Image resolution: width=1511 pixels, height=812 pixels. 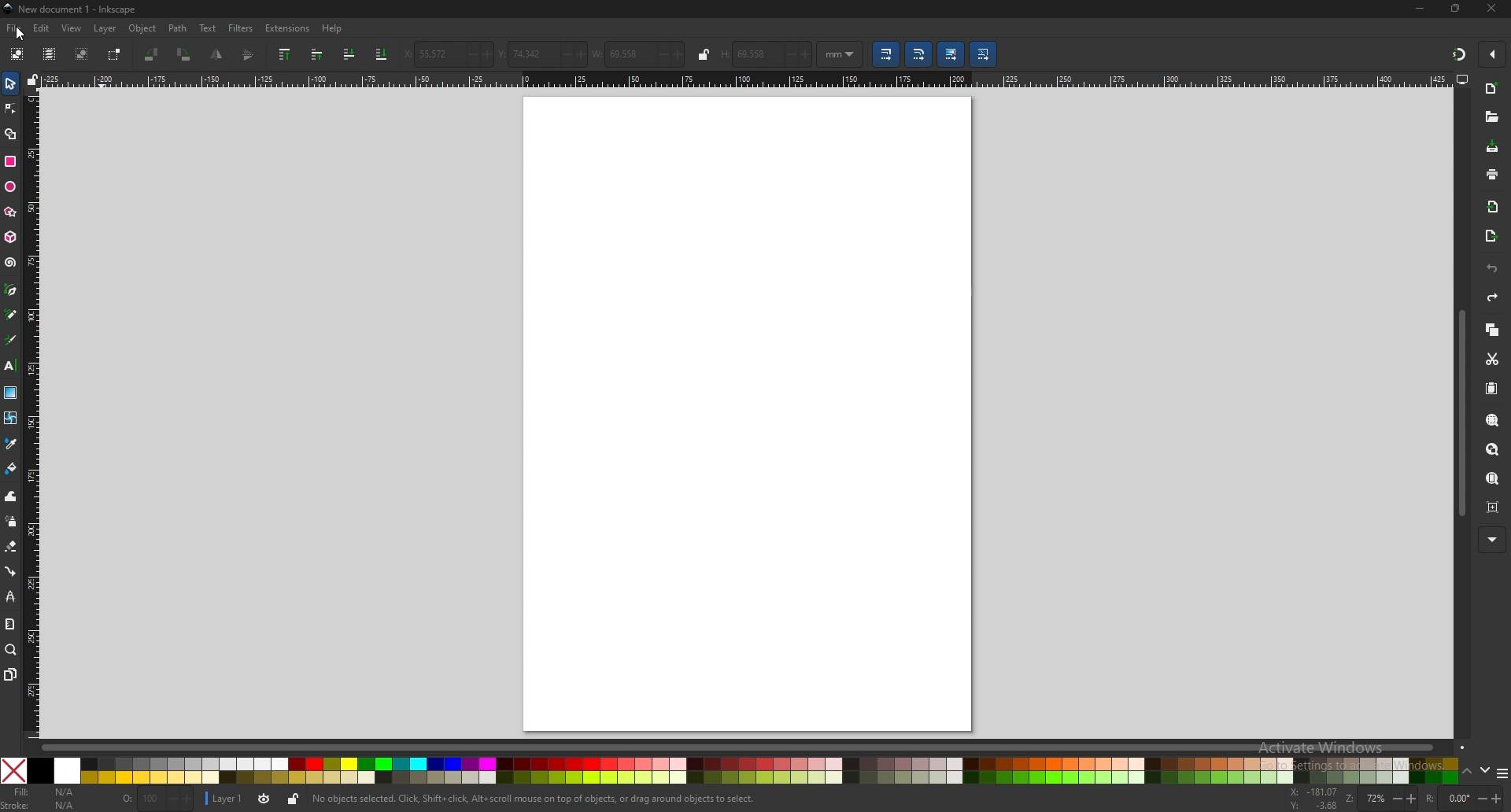 What do you see at coordinates (43, 793) in the screenshot?
I see `fill` at bounding box center [43, 793].